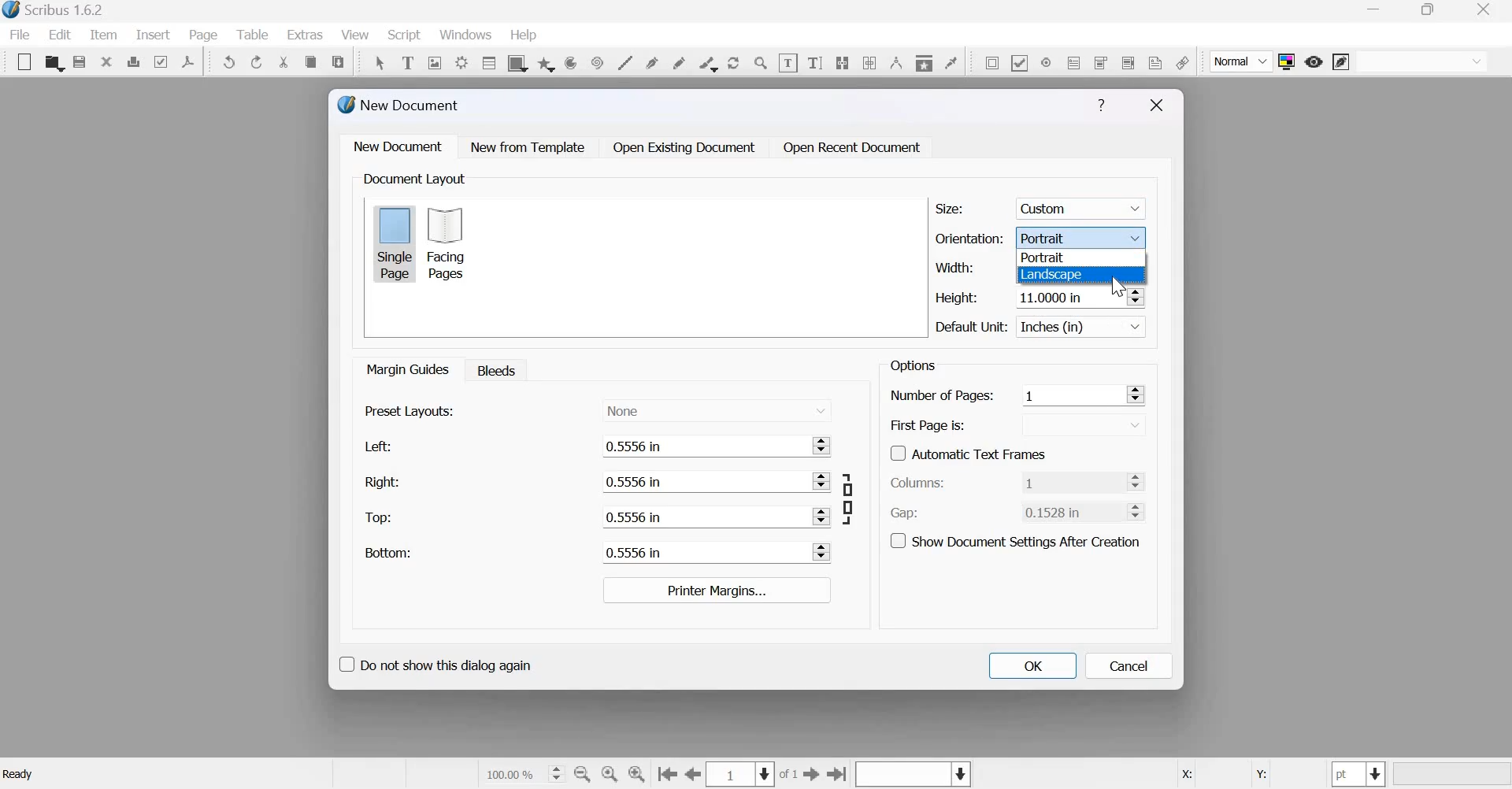 This screenshot has height=789, width=1512. I want to click on zoom in by the stepping value in Tools preferences, so click(638, 774).